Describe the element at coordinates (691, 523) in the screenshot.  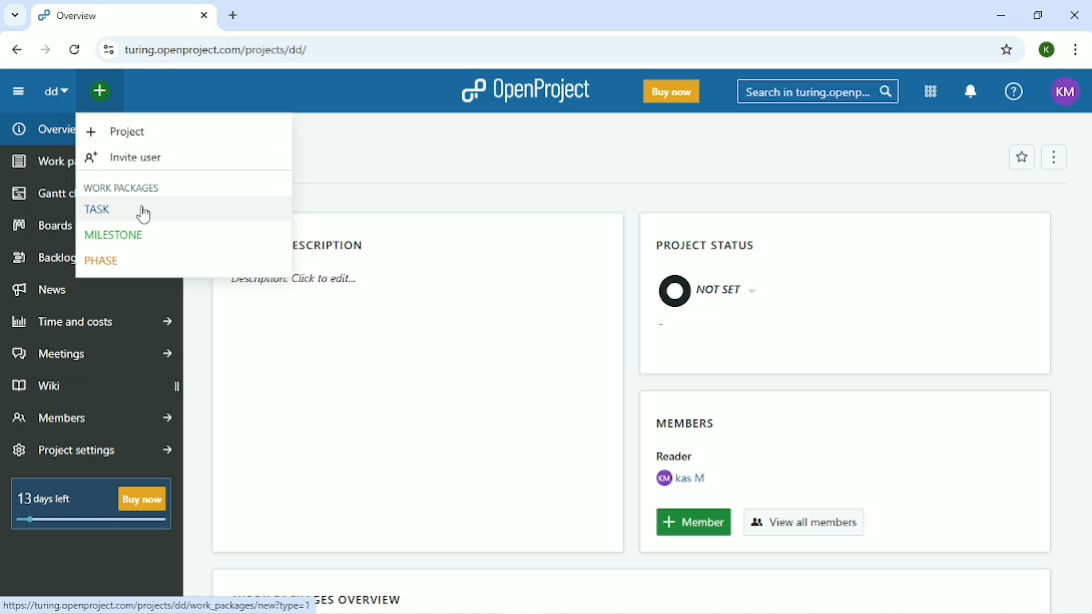
I see `Member` at that location.